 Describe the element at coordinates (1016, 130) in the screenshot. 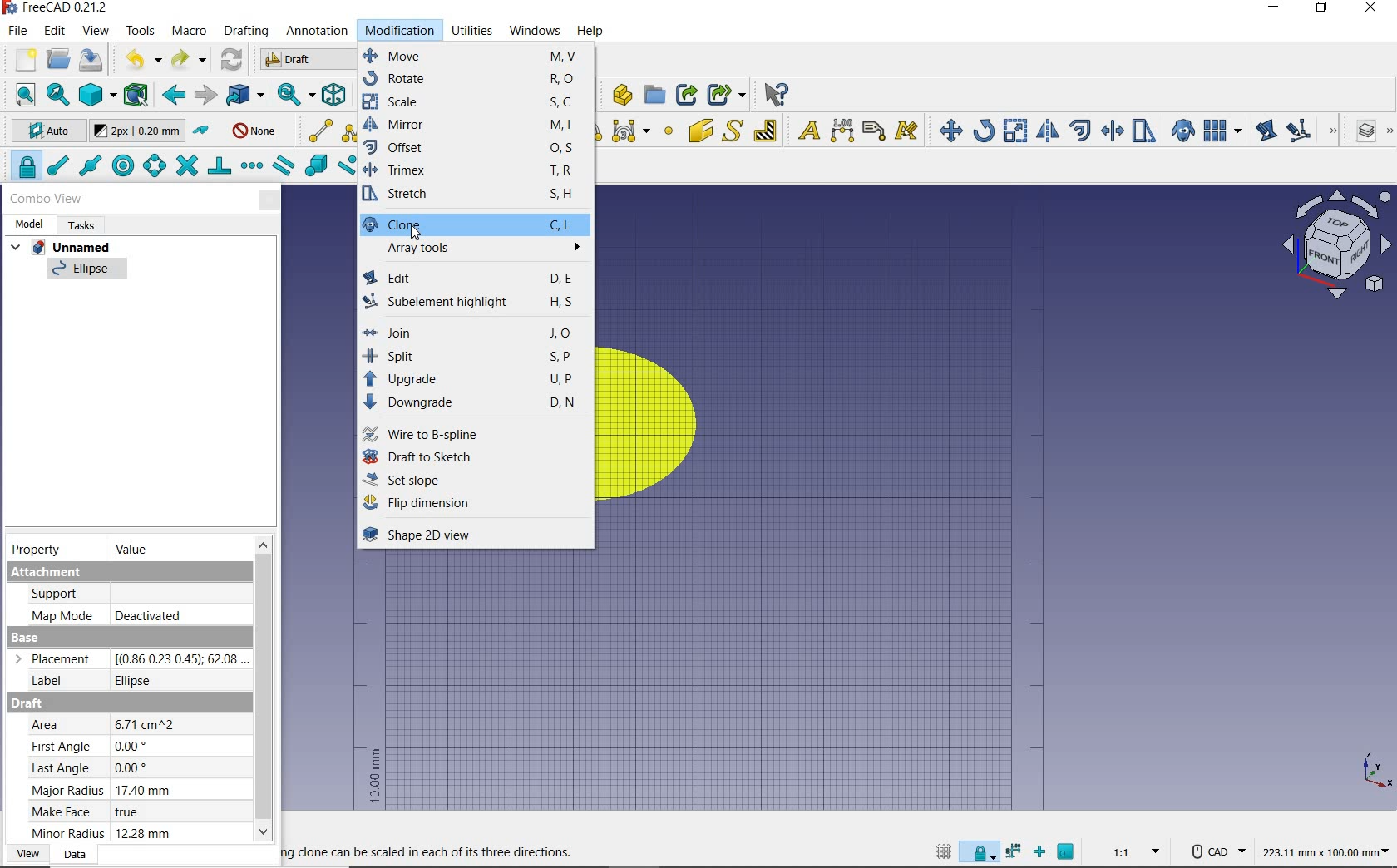

I see `scale` at that location.